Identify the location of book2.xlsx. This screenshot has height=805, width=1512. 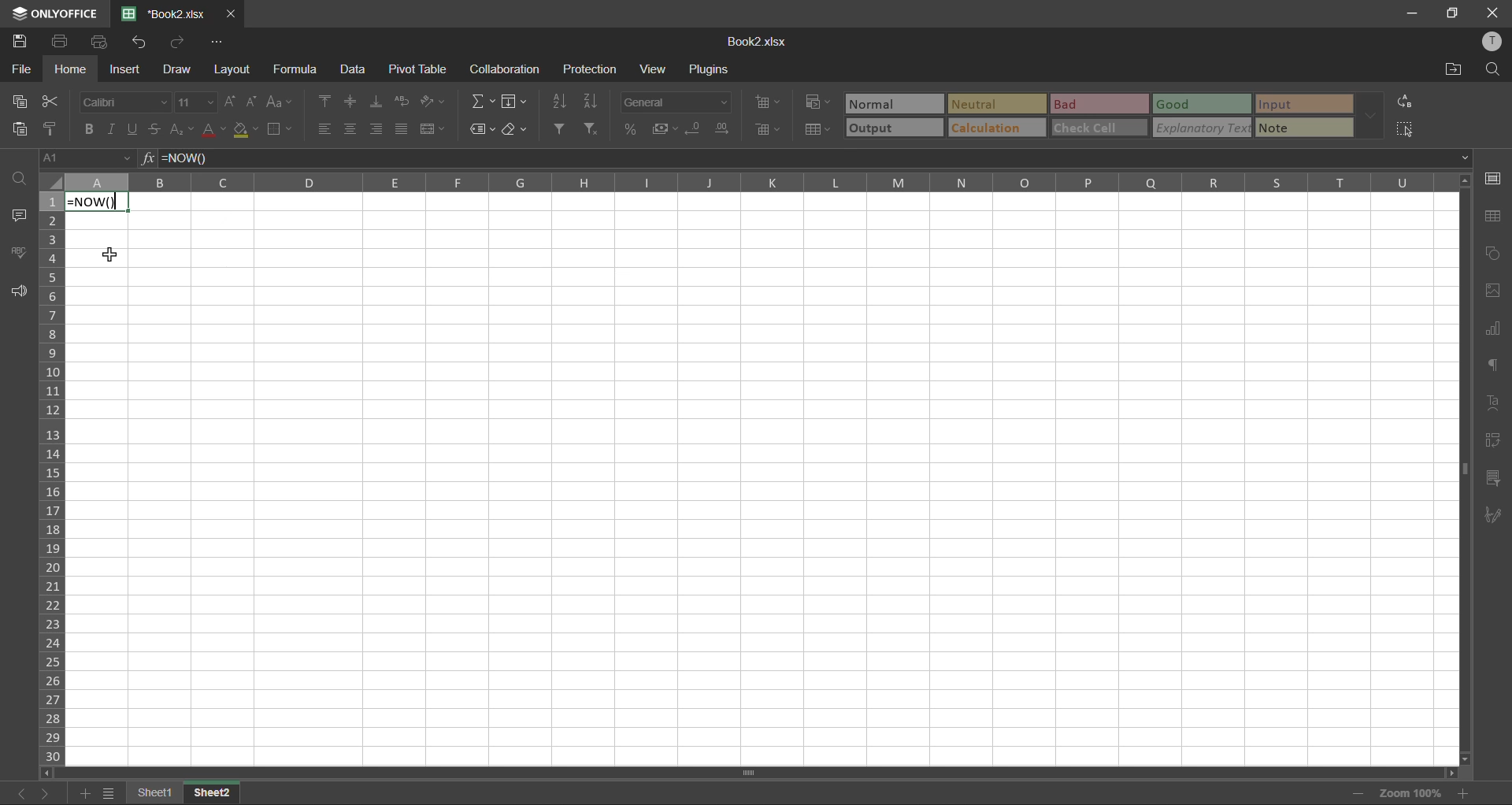
(755, 43).